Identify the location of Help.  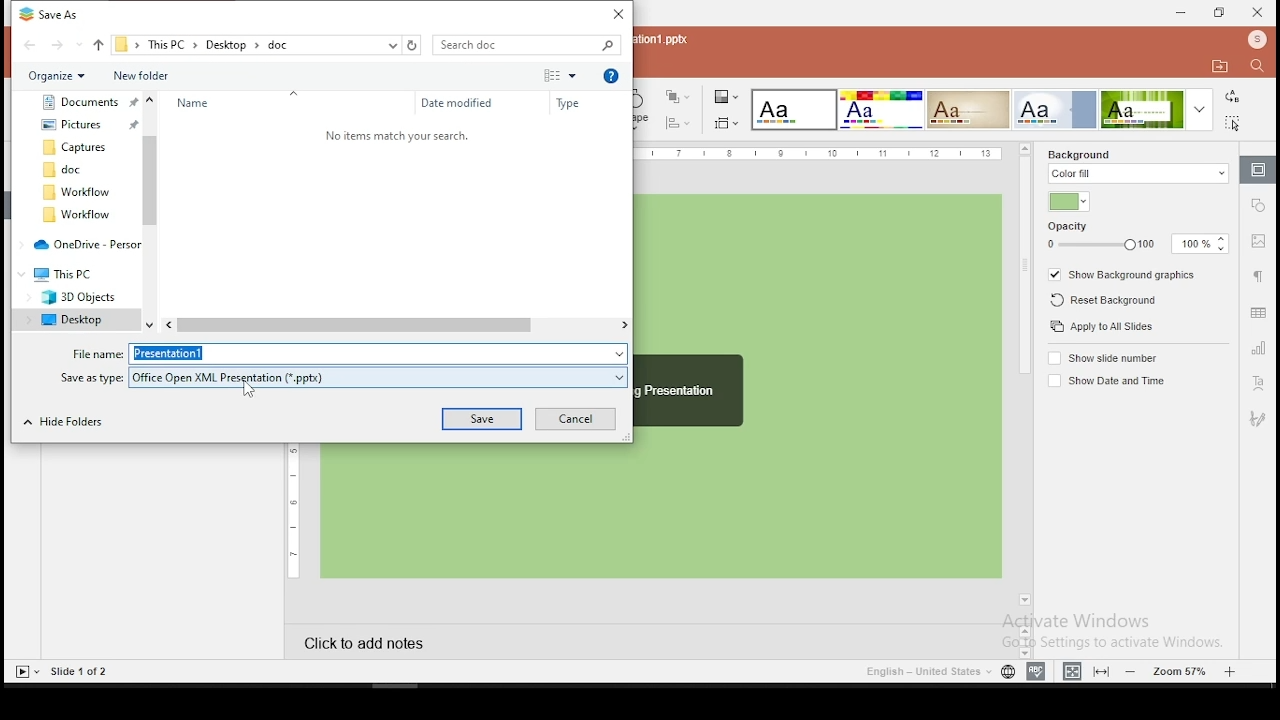
(613, 77).